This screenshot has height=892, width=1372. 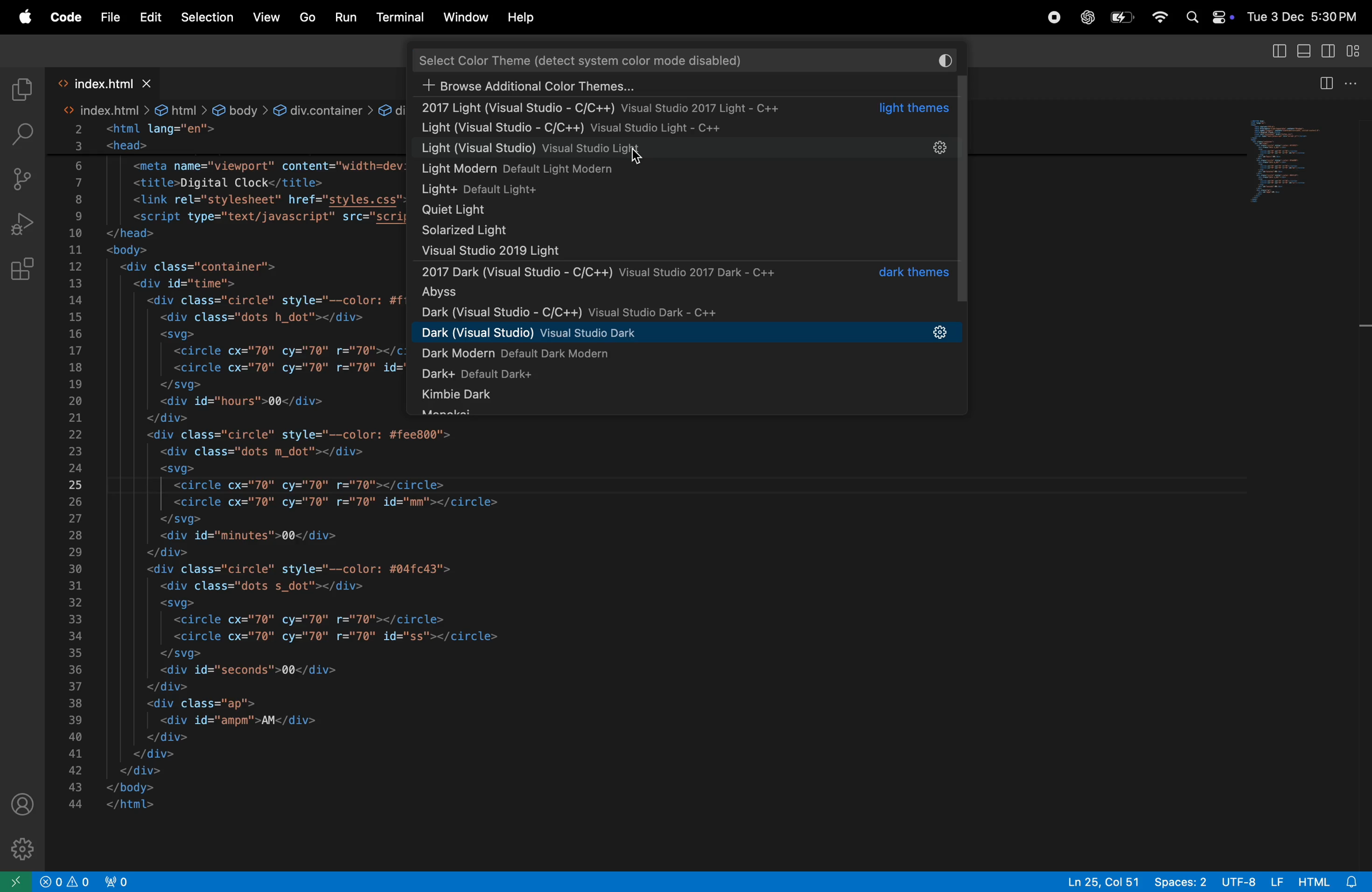 What do you see at coordinates (22, 132) in the screenshot?
I see `search` at bounding box center [22, 132].